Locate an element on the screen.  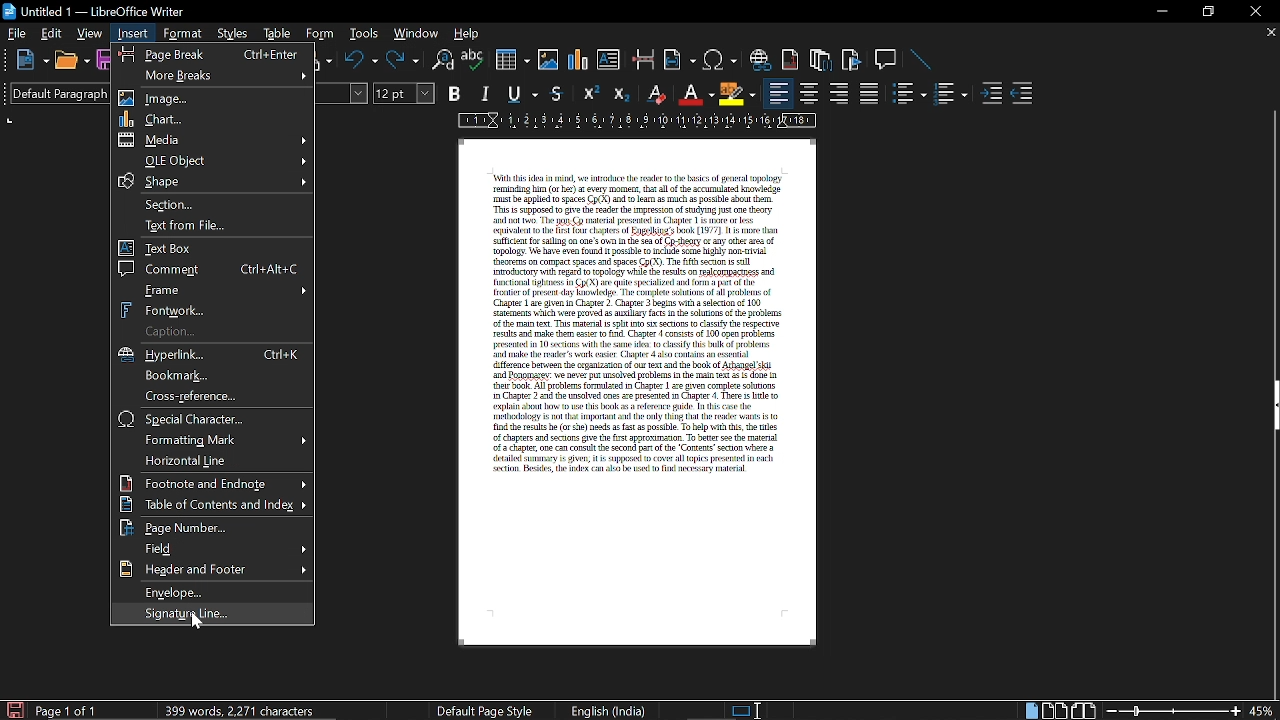
text color is located at coordinates (698, 94).